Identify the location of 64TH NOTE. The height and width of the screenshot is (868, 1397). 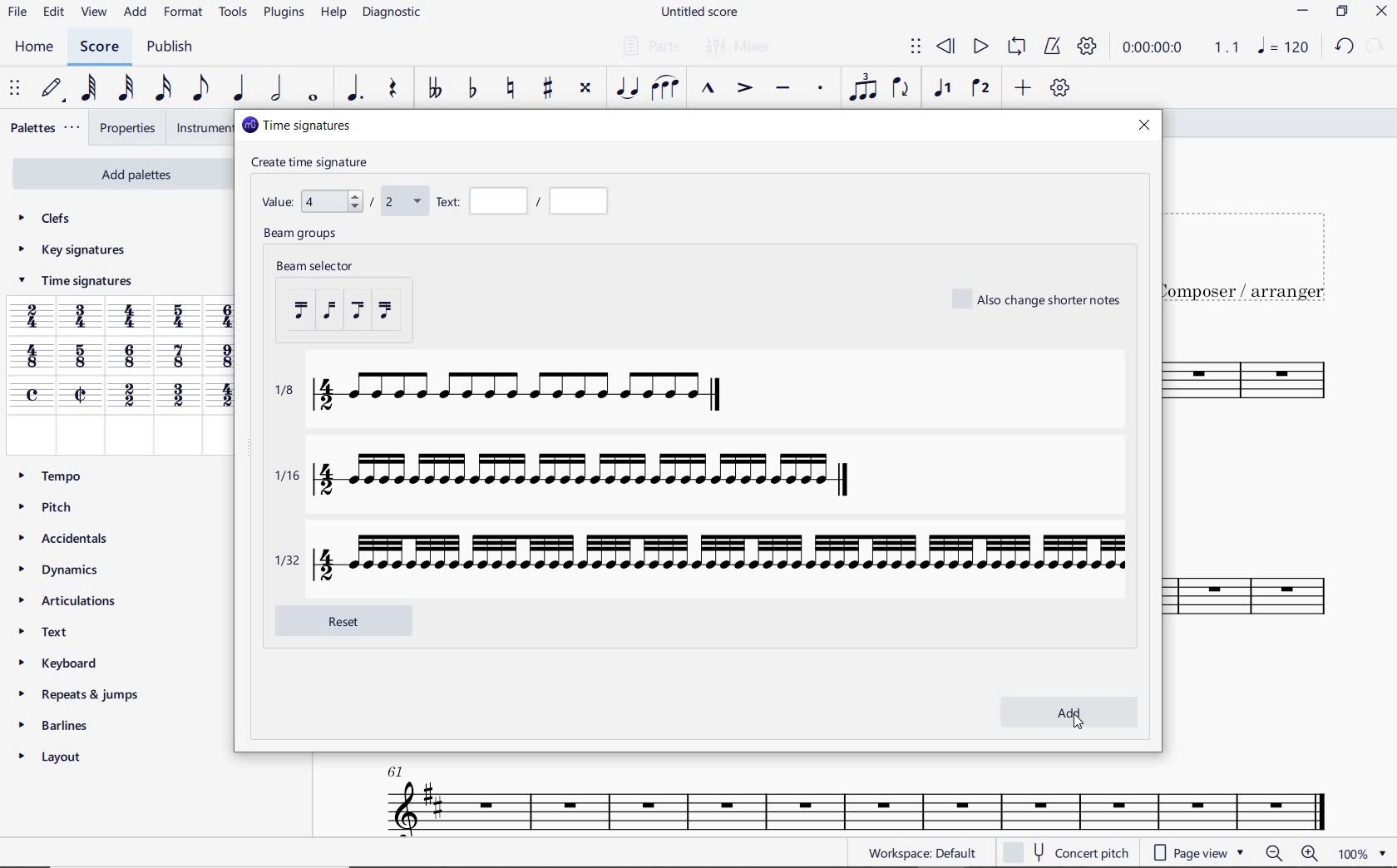
(88, 88).